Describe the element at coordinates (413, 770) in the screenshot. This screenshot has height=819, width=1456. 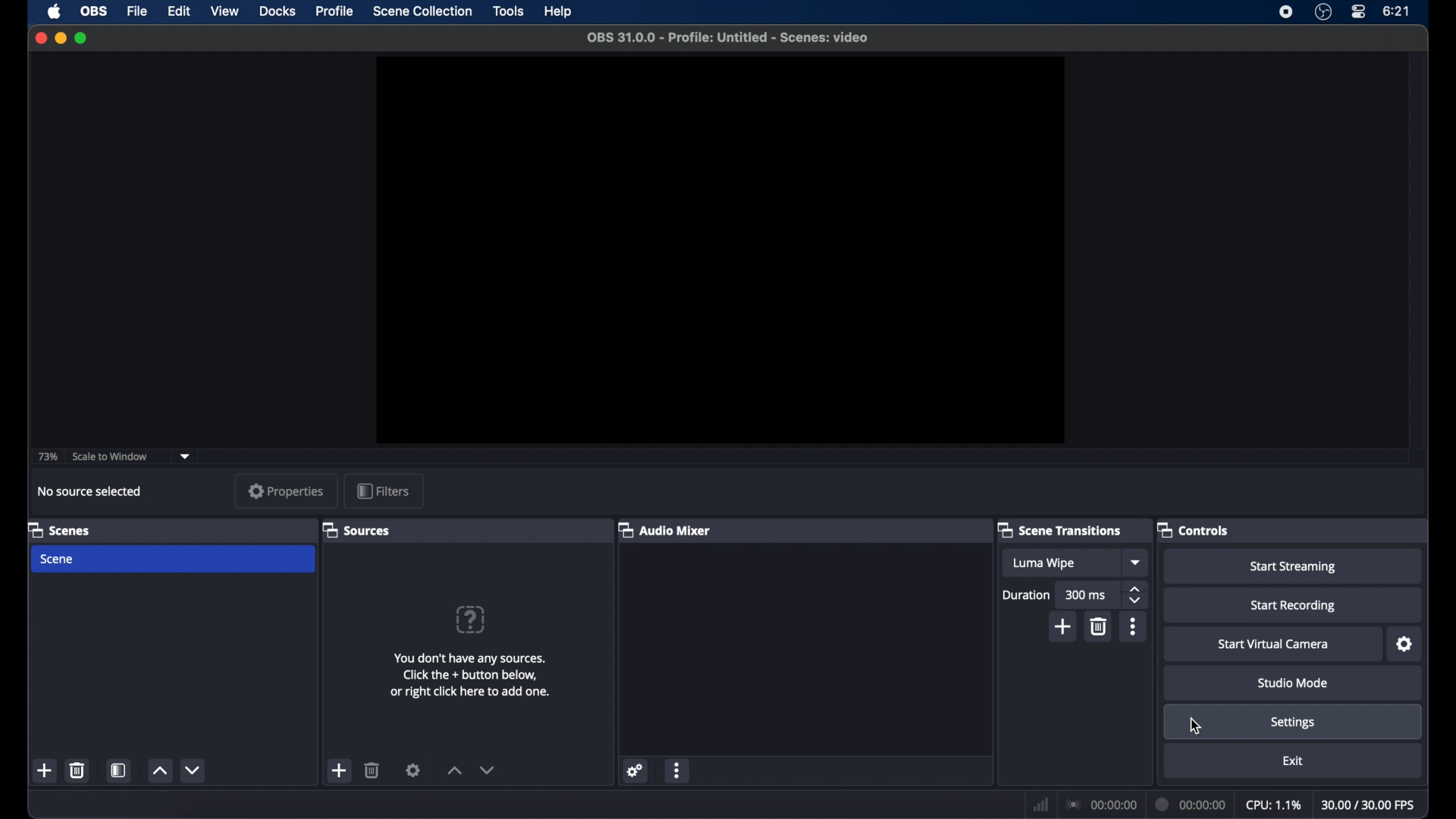
I see `settings` at that location.